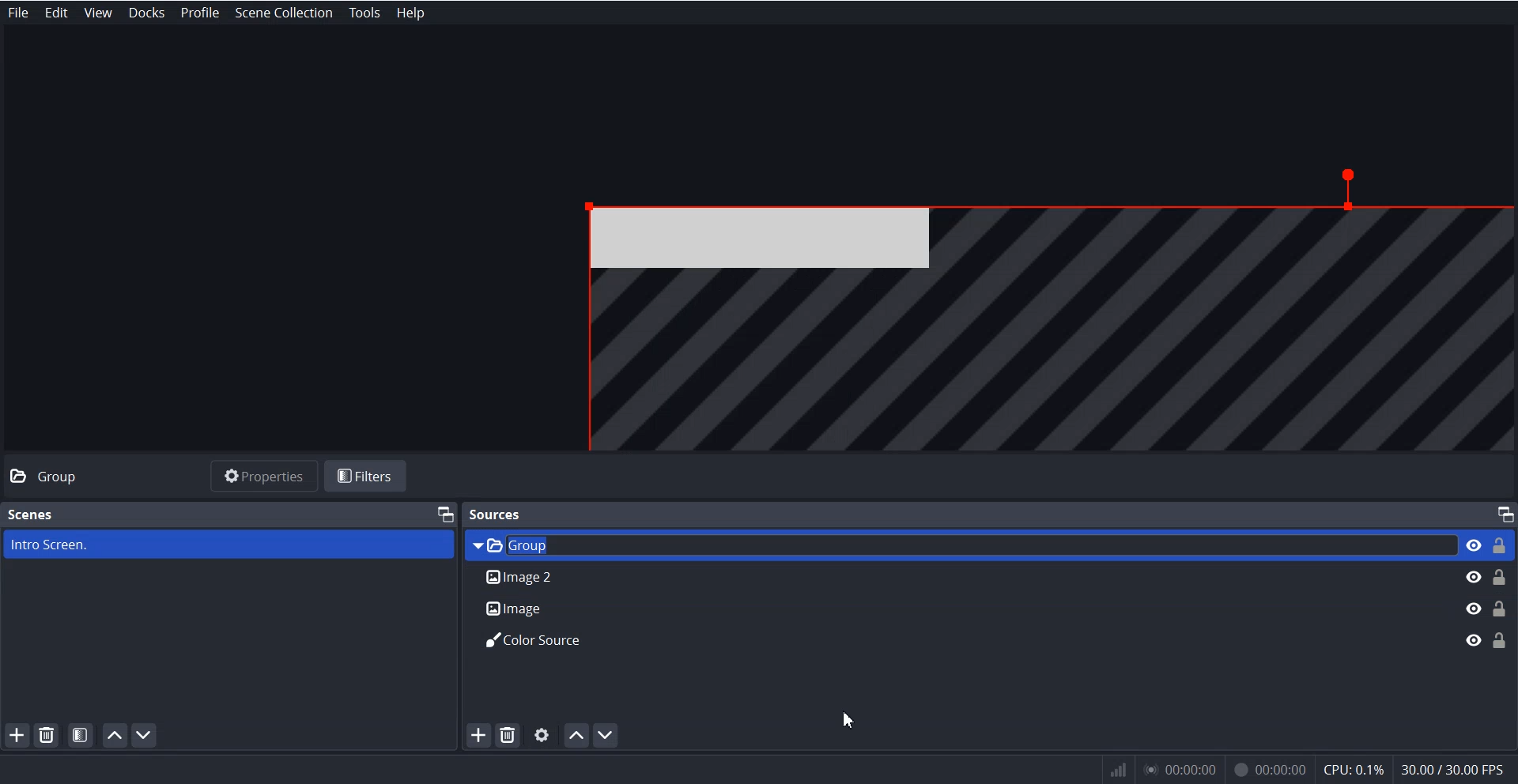 The width and height of the screenshot is (1518, 784). What do you see at coordinates (444, 513) in the screenshot?
I see `Maximize` at bounding box center [444, 513].